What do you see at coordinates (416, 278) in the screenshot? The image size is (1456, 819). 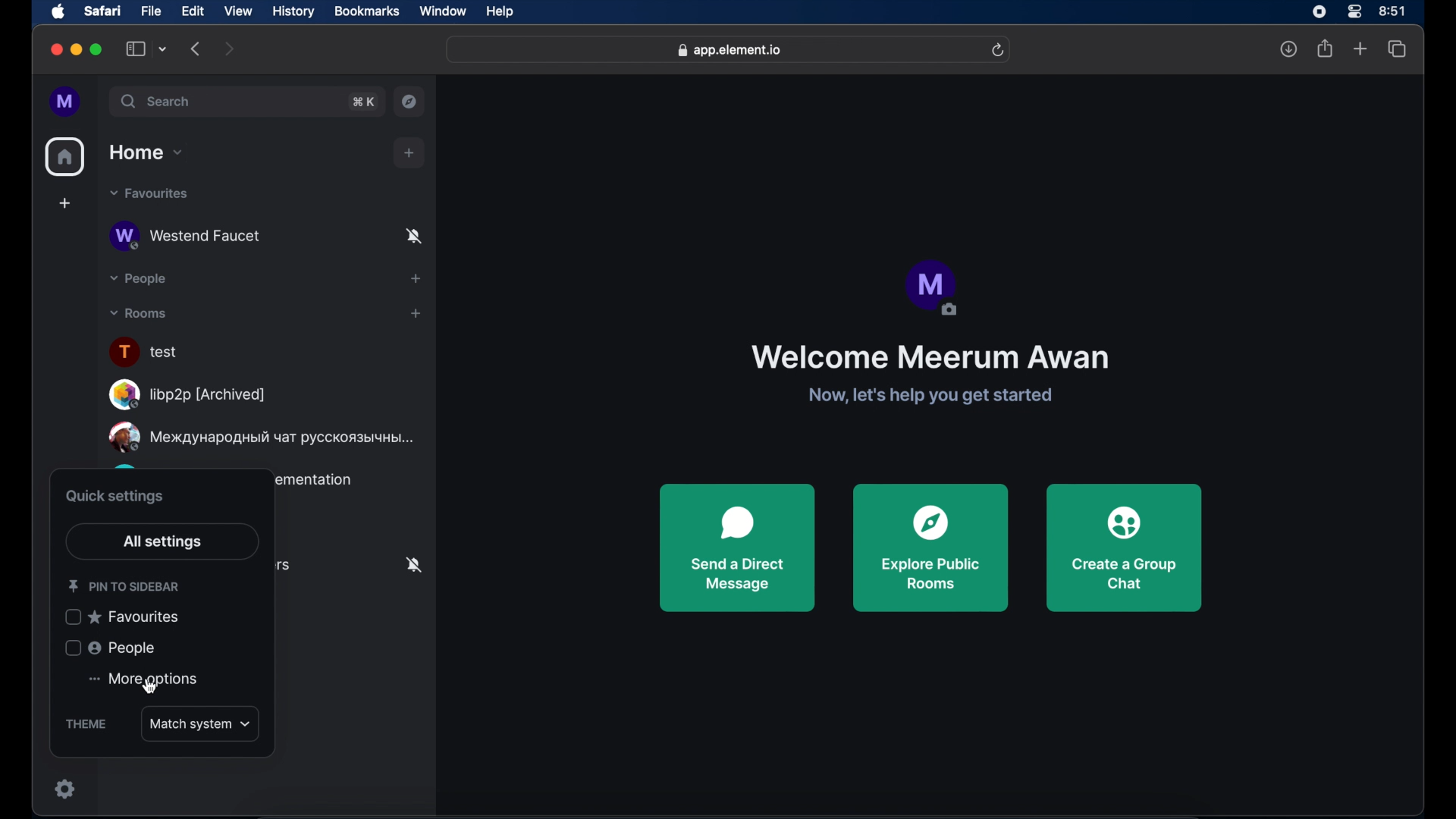 I see `start chat` at bounding box center [416, 278].